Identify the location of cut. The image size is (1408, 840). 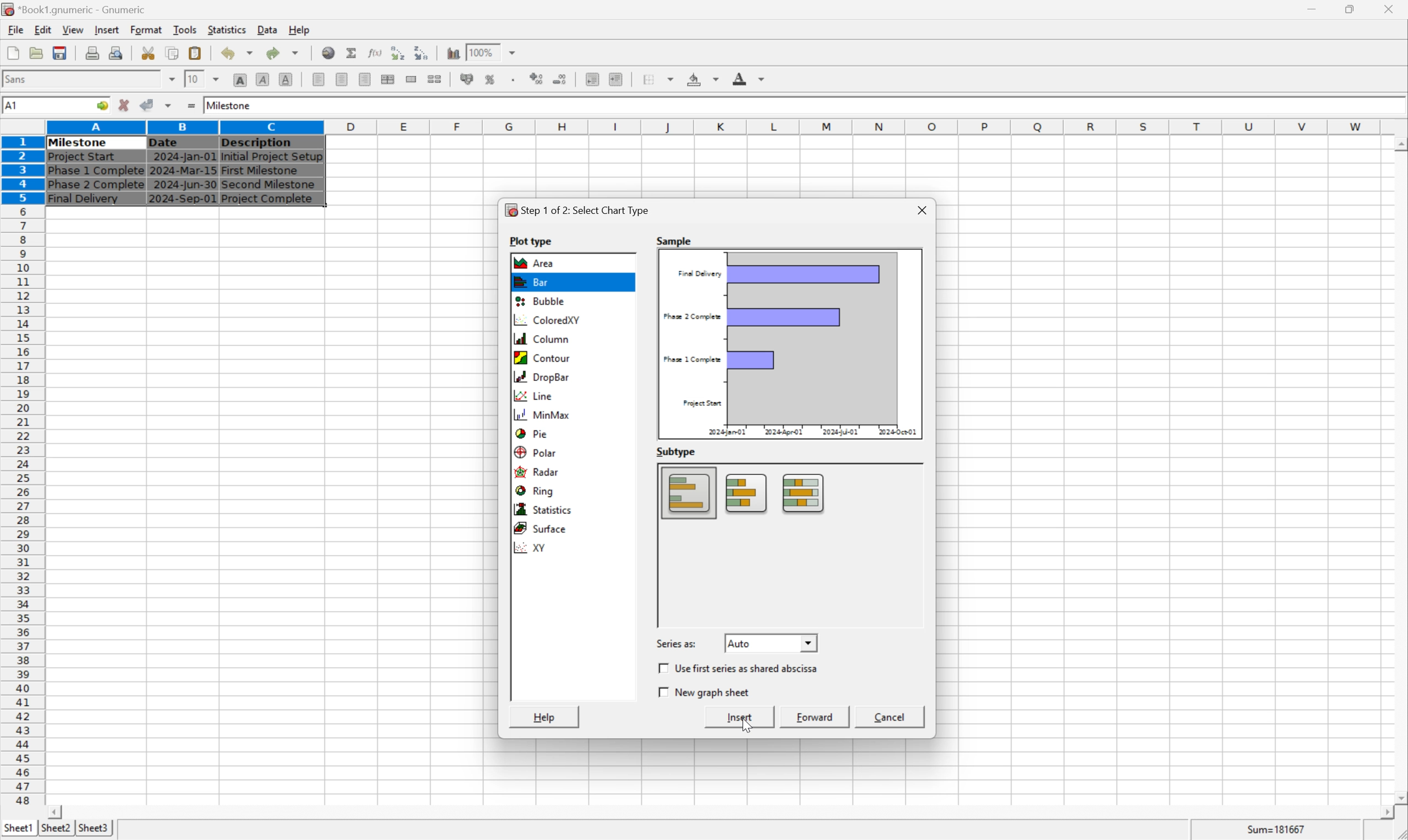
(149, 53).